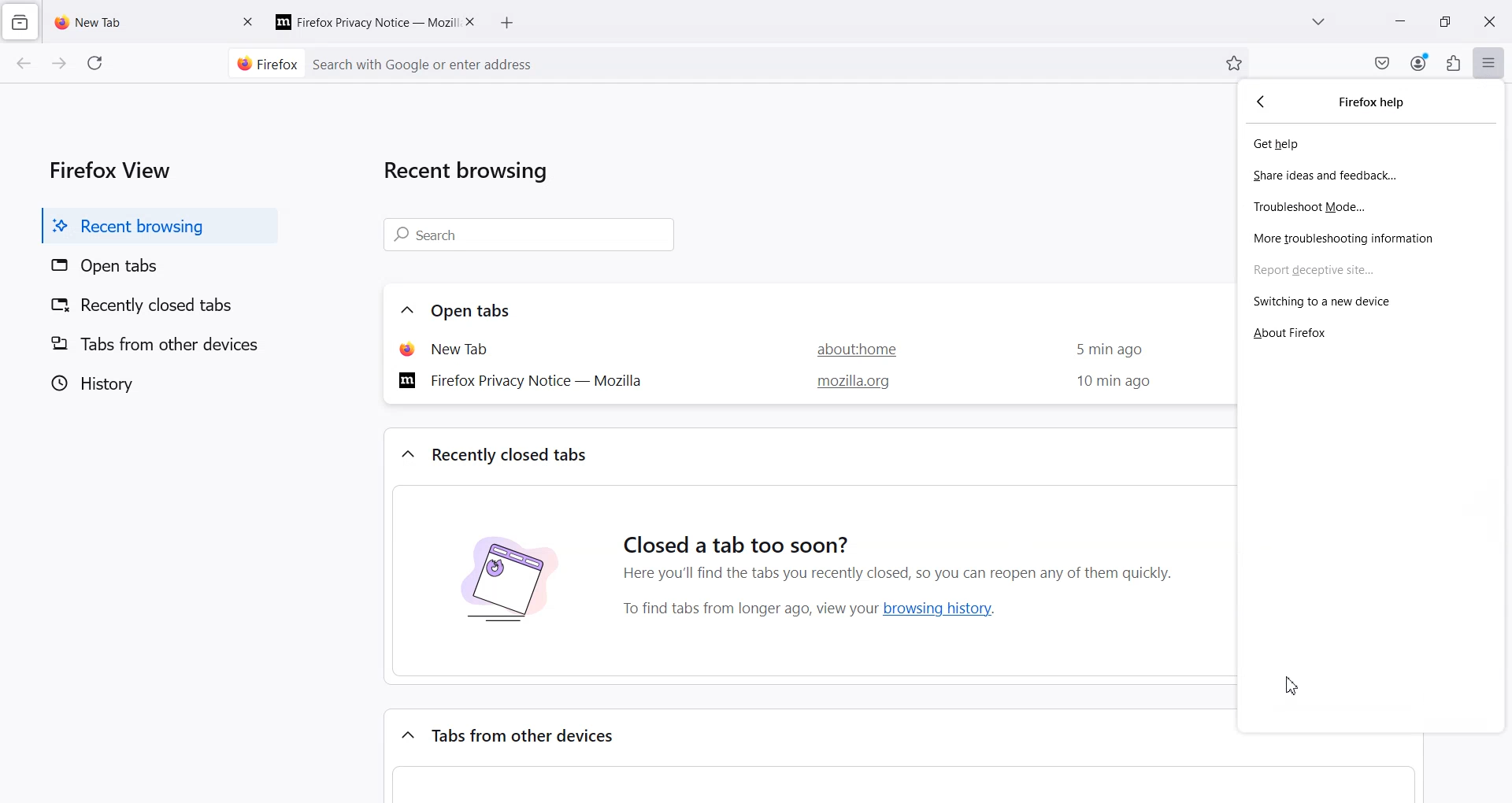 Image resolution: width=1512 pixels, height=803 pixels. I want to click on 8 min ago, so click(1109, 383).